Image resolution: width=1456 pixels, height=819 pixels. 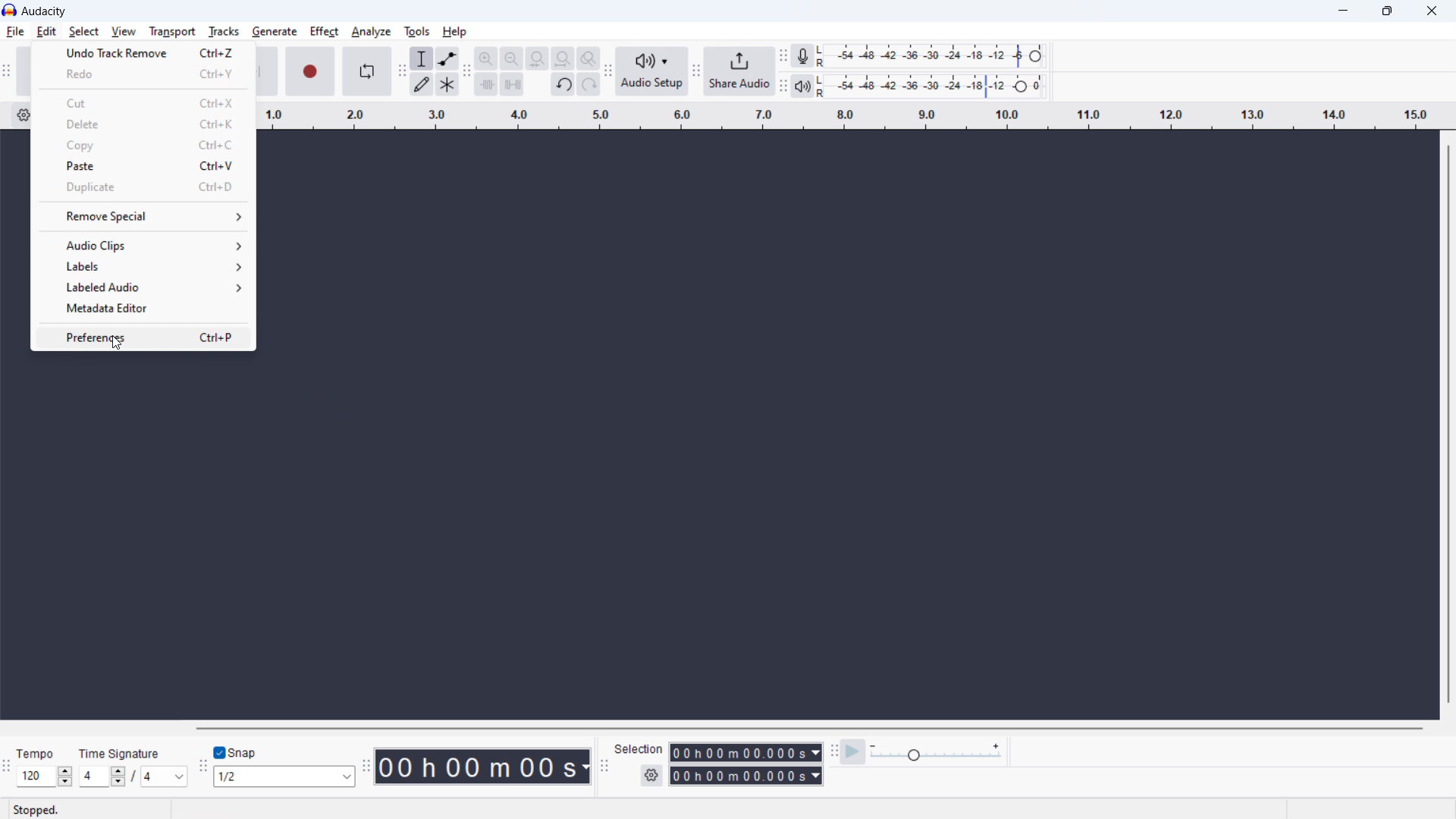 What do you see at coordinates (142, 124) in the screenshot?
I see `delete` at bounding box center [142, 124].